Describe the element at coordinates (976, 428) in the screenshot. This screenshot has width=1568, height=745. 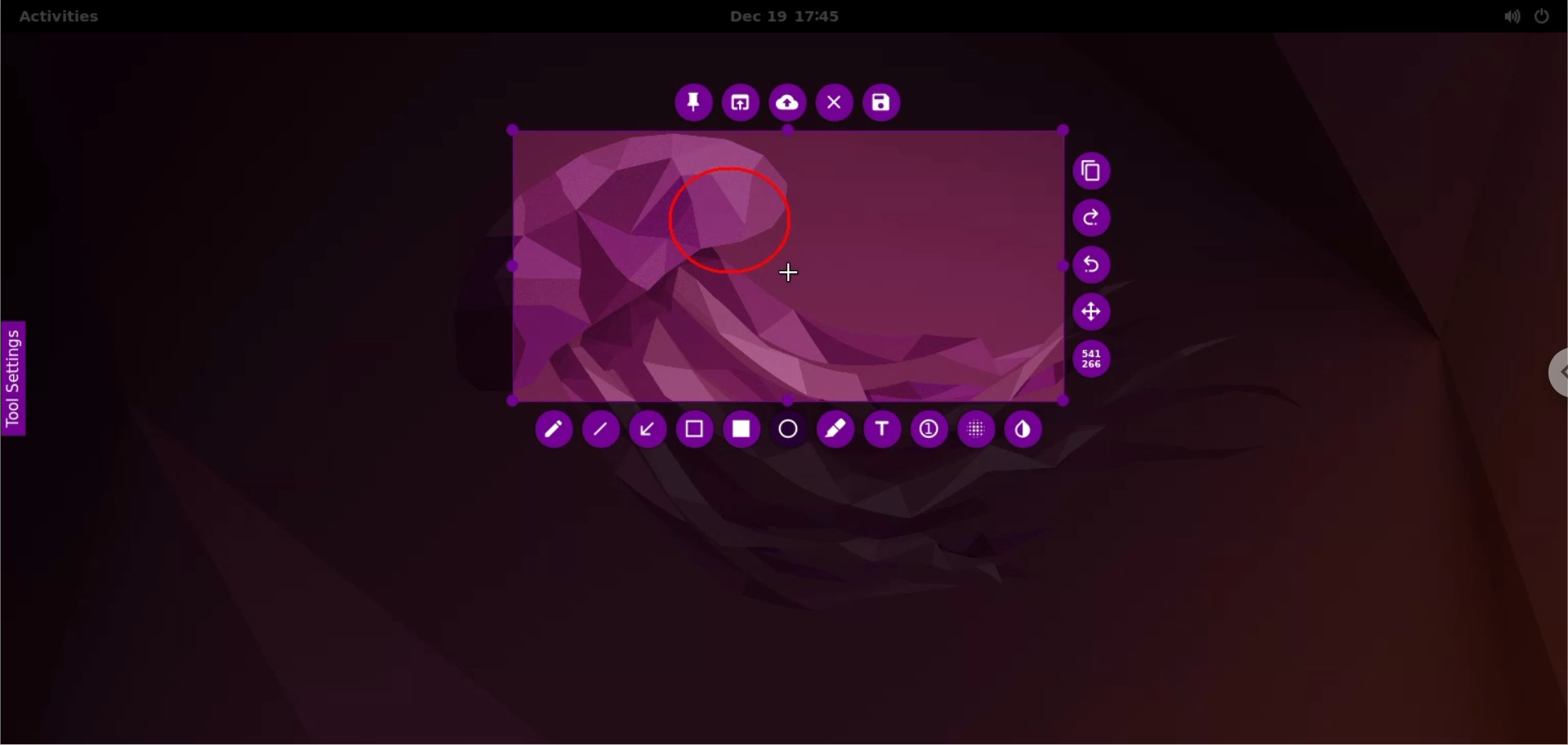
I see `pixelette` at that location.